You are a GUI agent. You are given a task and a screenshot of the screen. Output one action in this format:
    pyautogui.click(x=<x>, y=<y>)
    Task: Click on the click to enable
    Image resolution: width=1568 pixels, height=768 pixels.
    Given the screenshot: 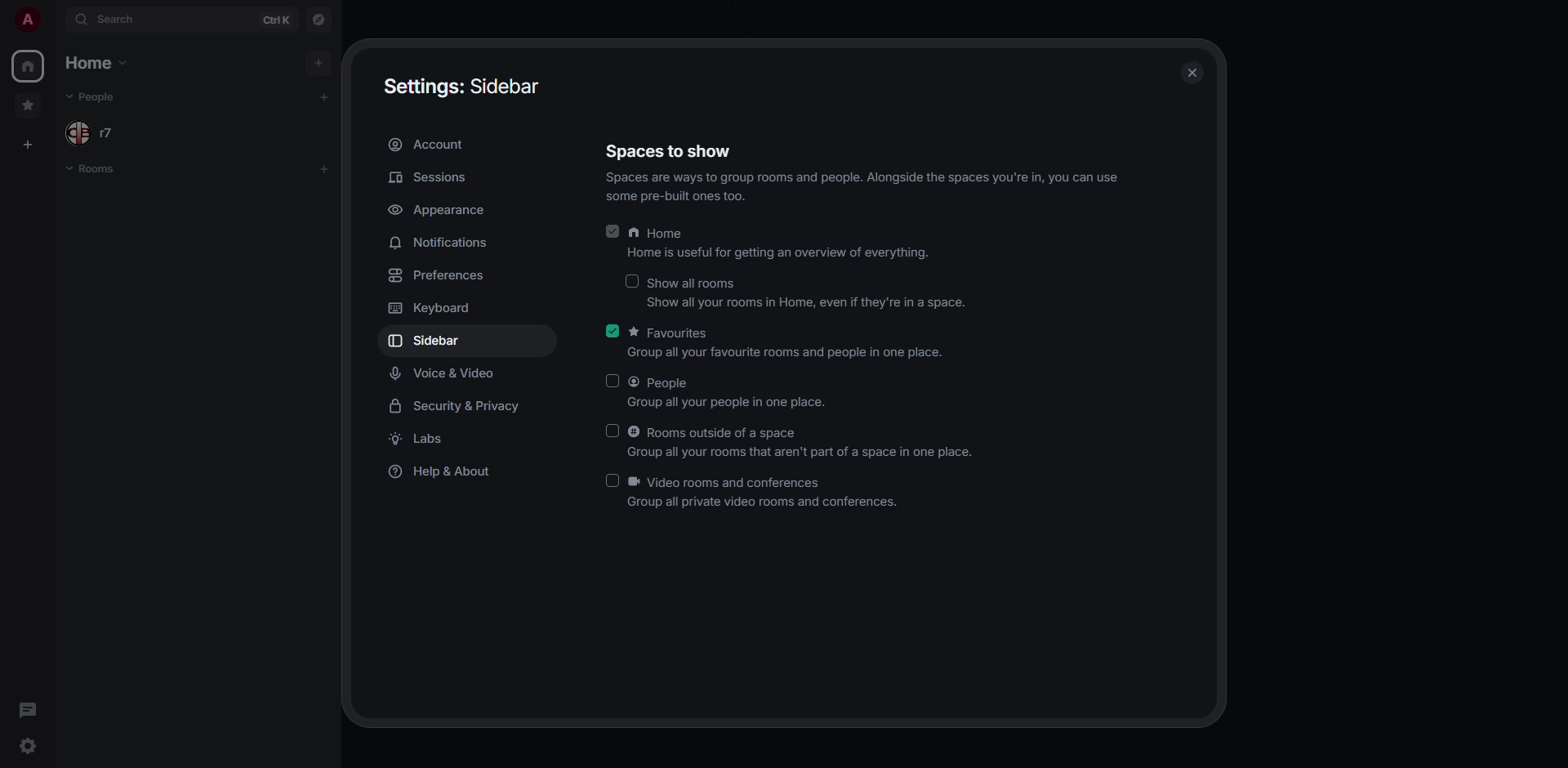 What is the action you would take?
    pyautogui.click(x=615, y=380)
    